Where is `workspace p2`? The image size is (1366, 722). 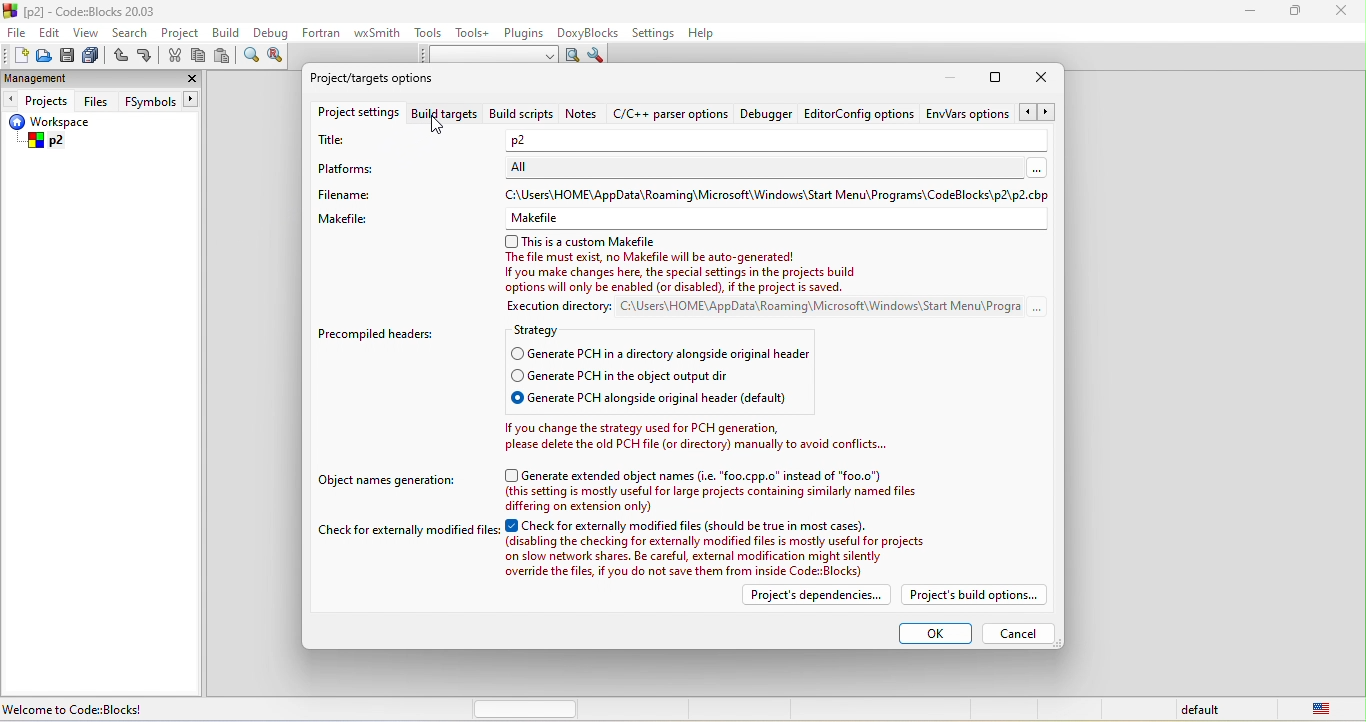 workspace p2 is located at coordinates (63, 134).